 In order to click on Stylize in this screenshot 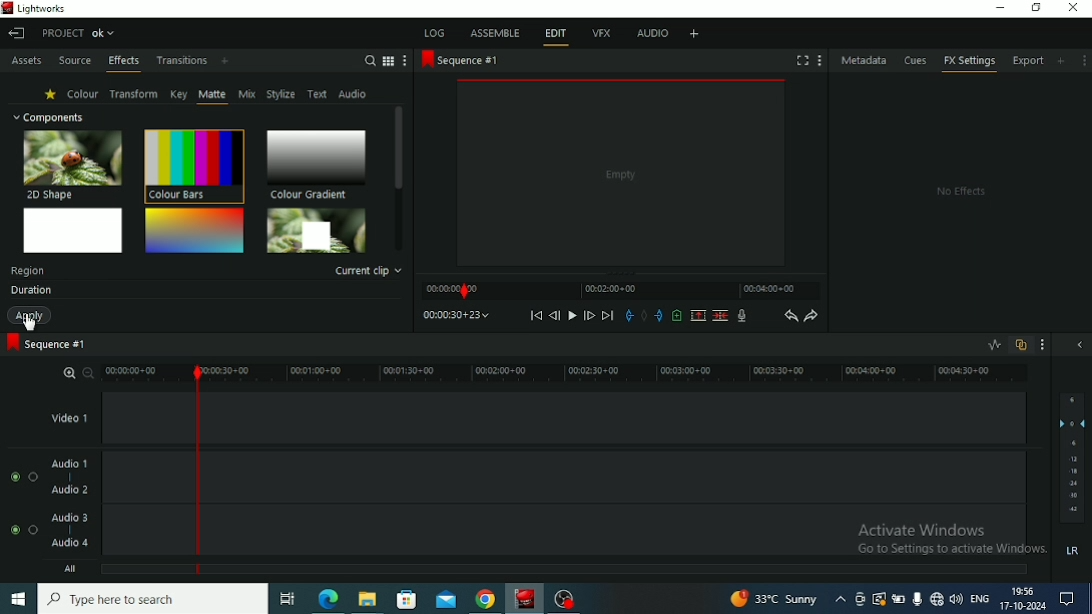, I will do `click(281, 93)`.